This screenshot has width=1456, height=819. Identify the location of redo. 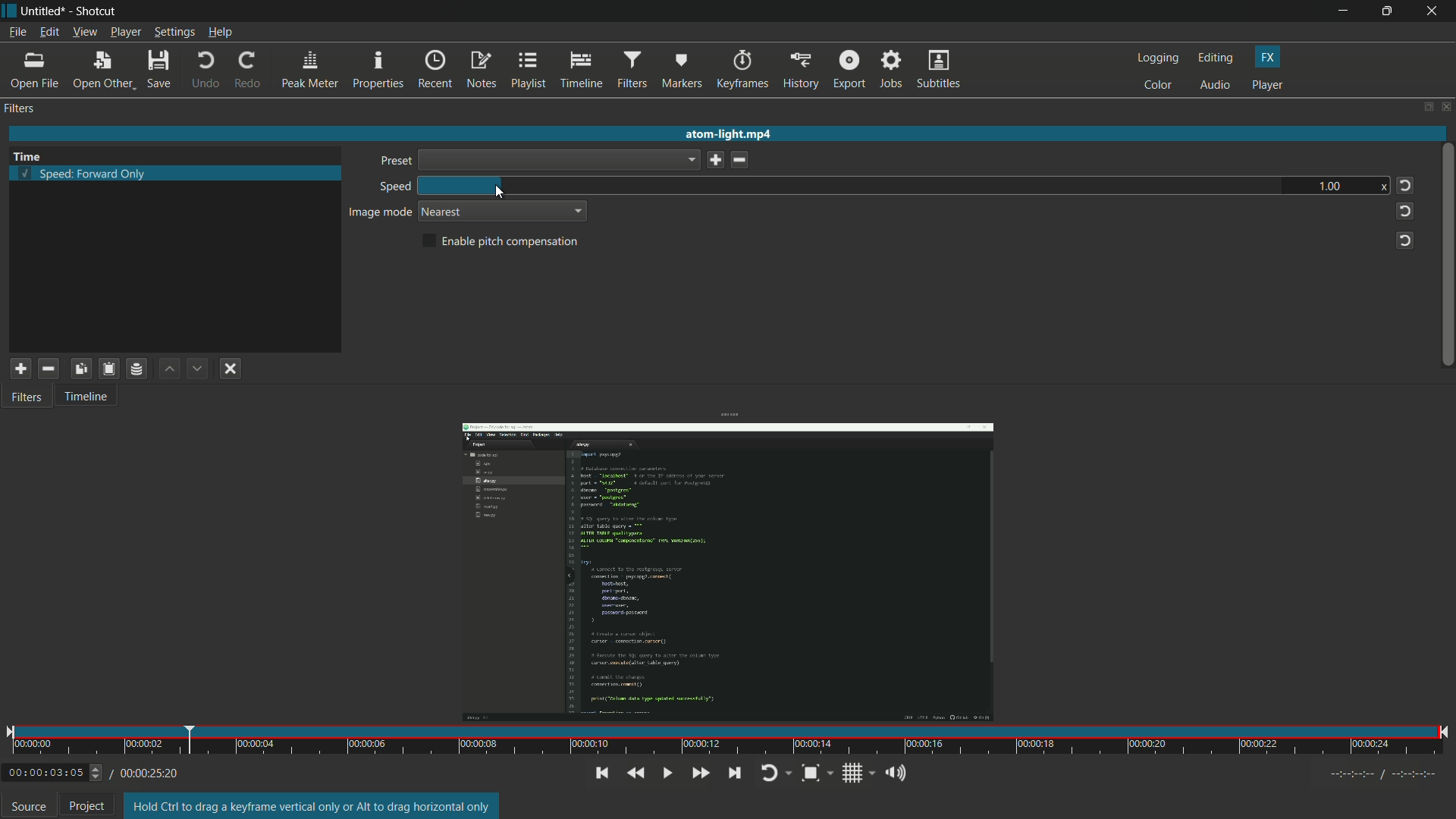
(246, 71).